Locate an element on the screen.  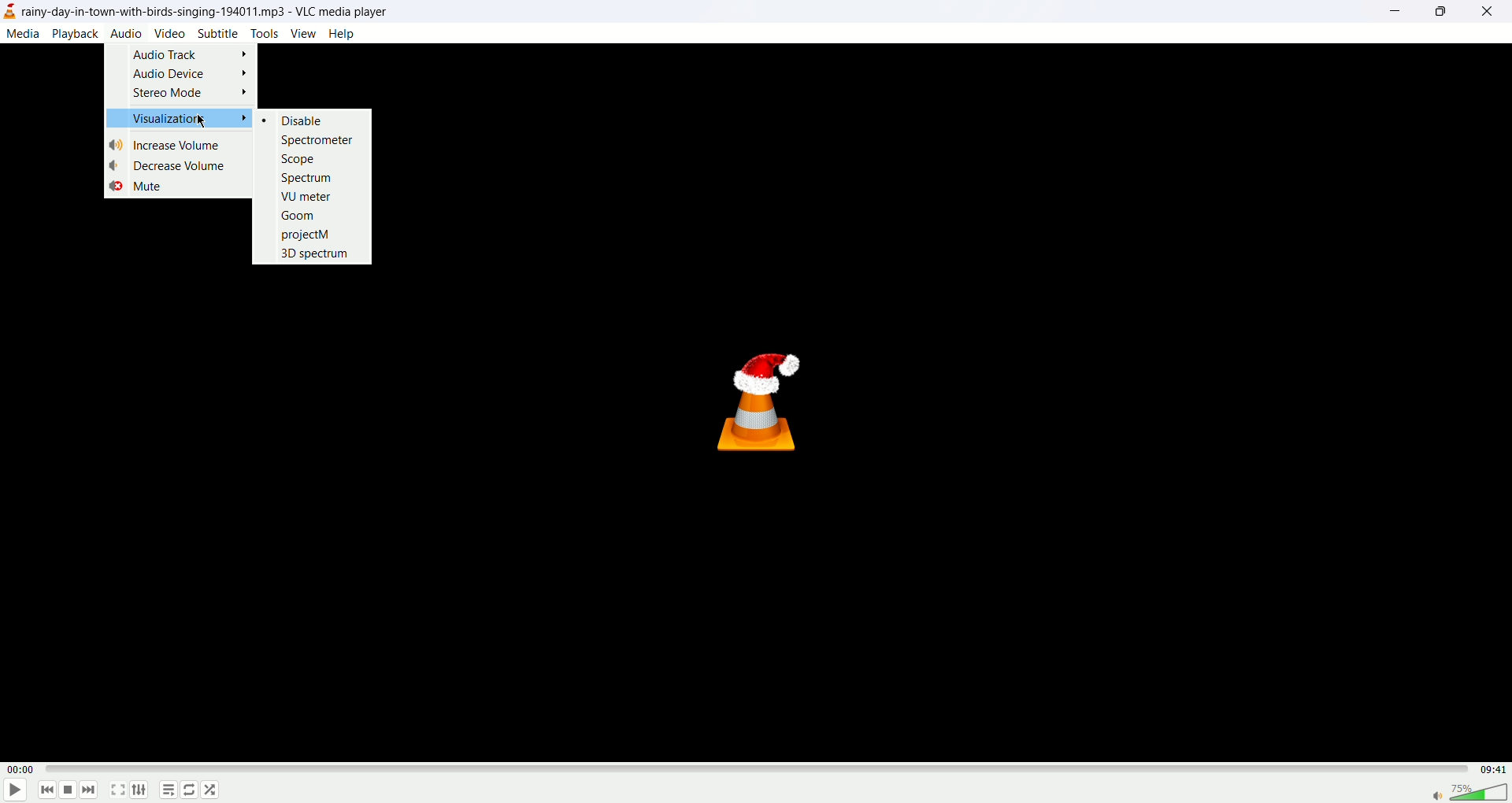
subtitle is located at coordinates (218, 35).